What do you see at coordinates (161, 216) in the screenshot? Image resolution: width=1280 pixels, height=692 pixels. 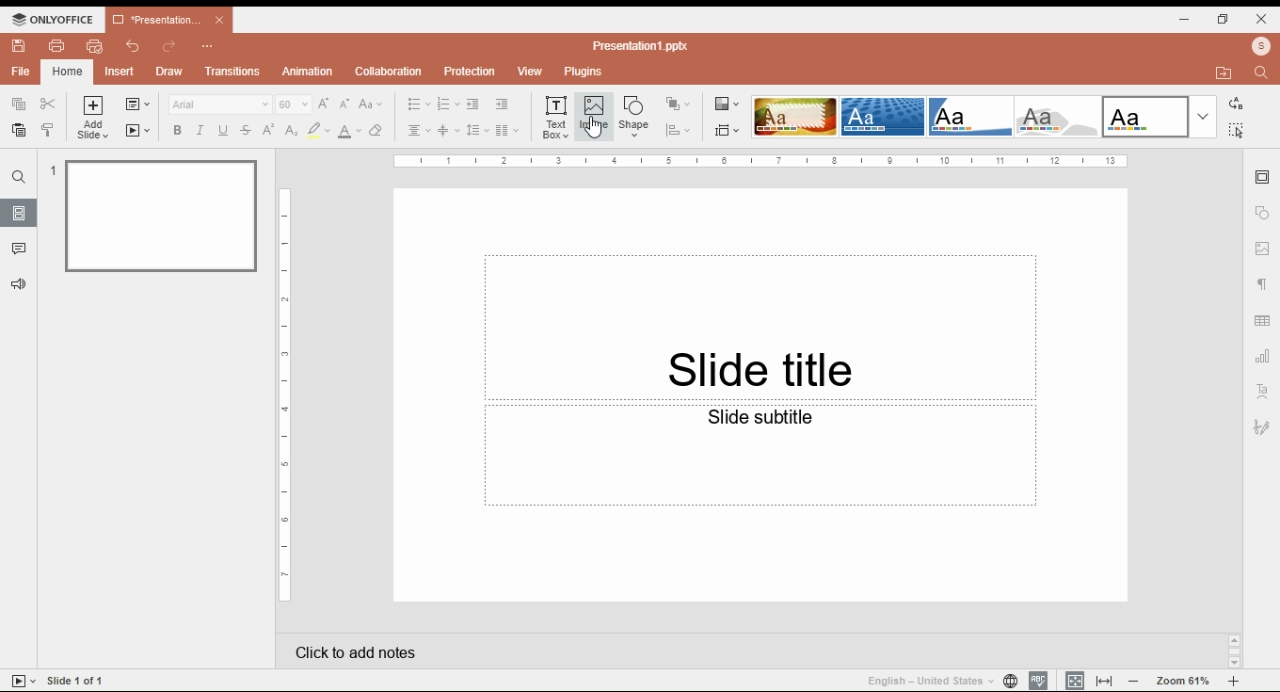 I see `slide 1` at bounding box center [161, 216].